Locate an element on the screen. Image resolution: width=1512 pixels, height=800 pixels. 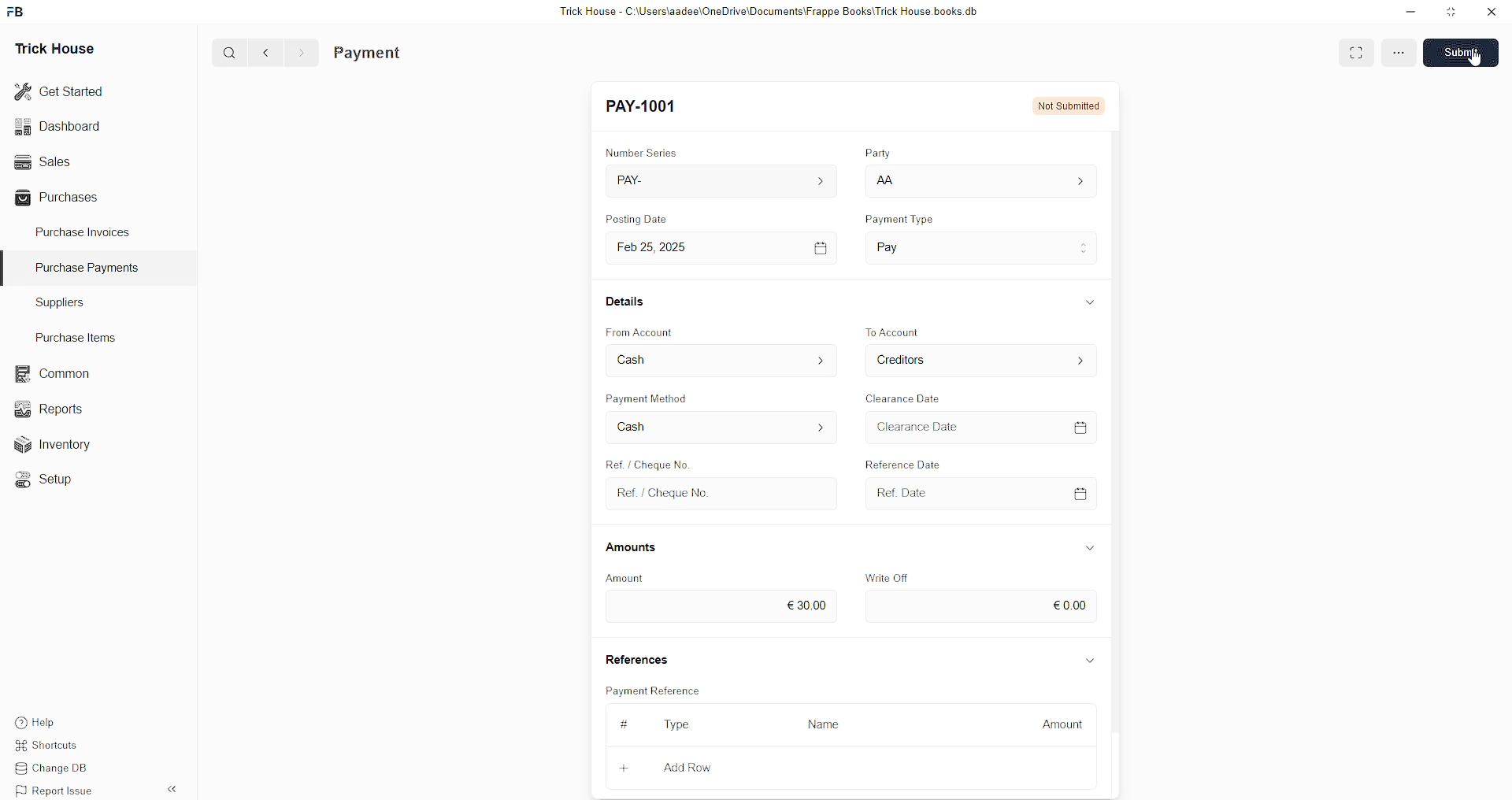
Change DB is located at coordinates (60, 769).